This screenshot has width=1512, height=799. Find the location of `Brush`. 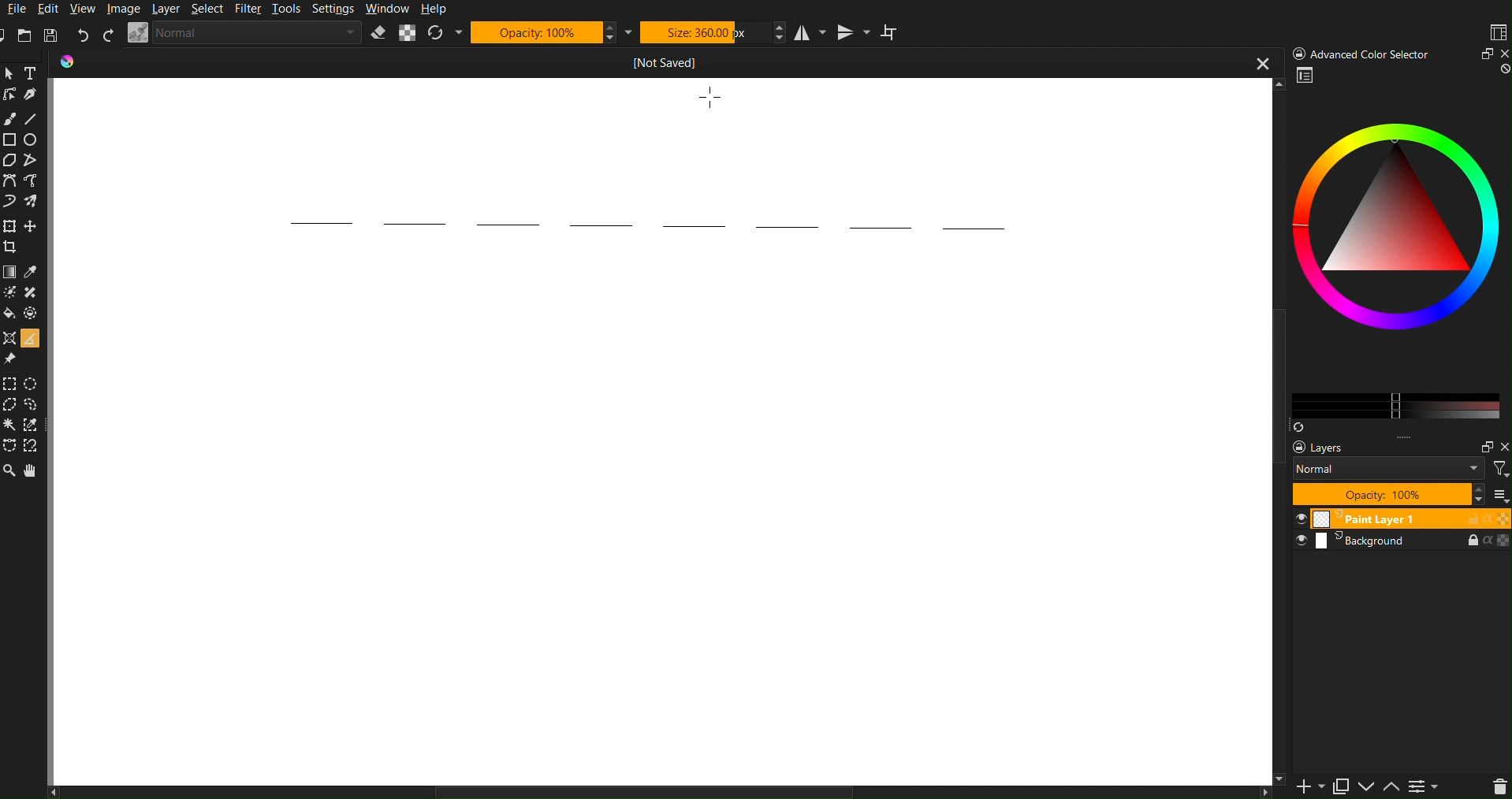

Brush is located at coordinates (11, 118).